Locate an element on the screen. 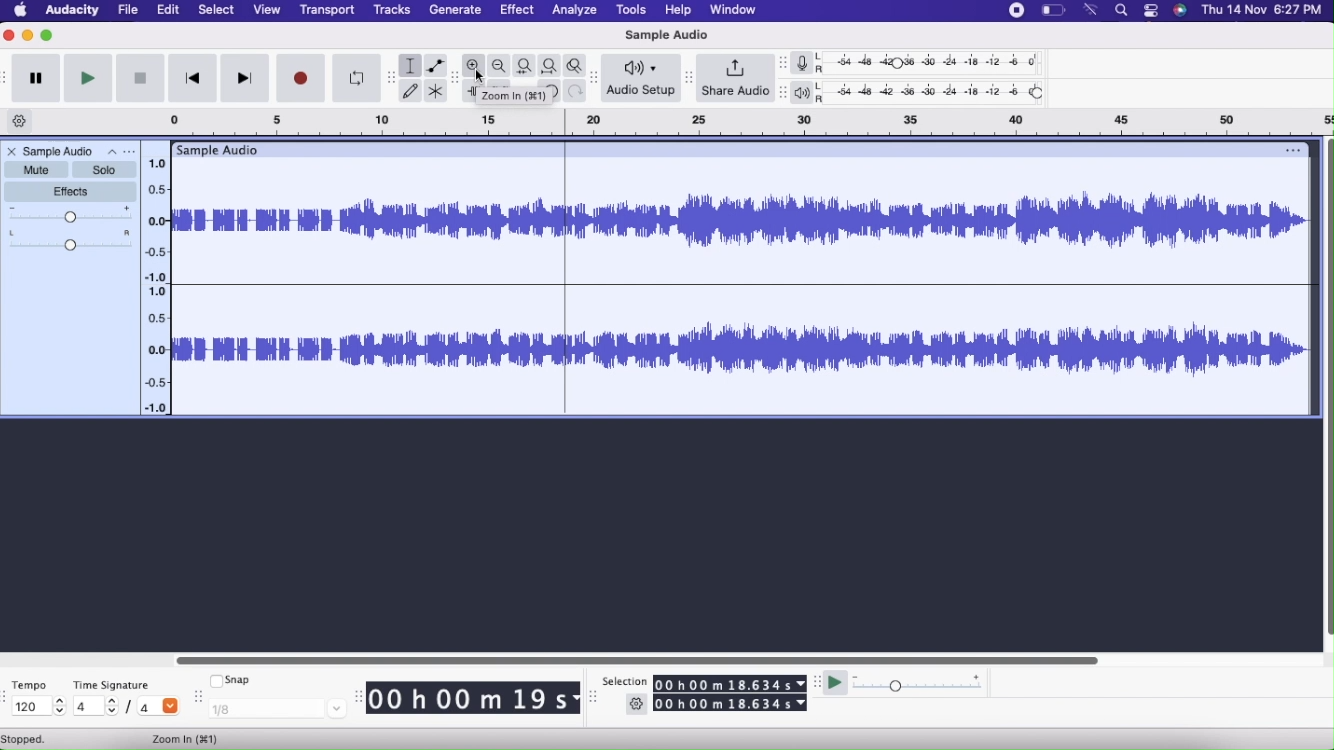  Playback speed is located at coordinates (924, 684).